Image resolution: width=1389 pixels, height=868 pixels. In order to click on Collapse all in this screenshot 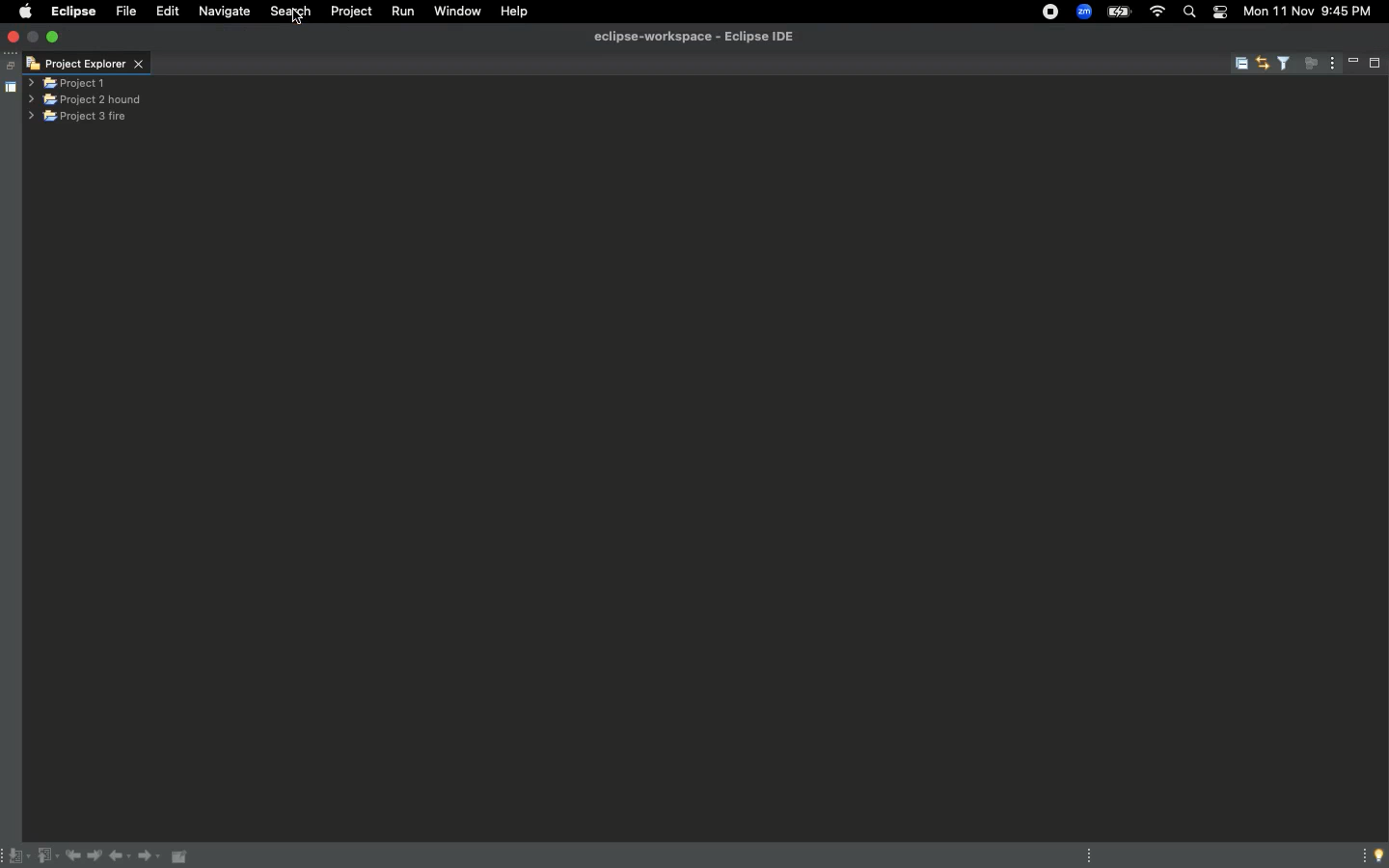, I will do `click(1239, 68)`.